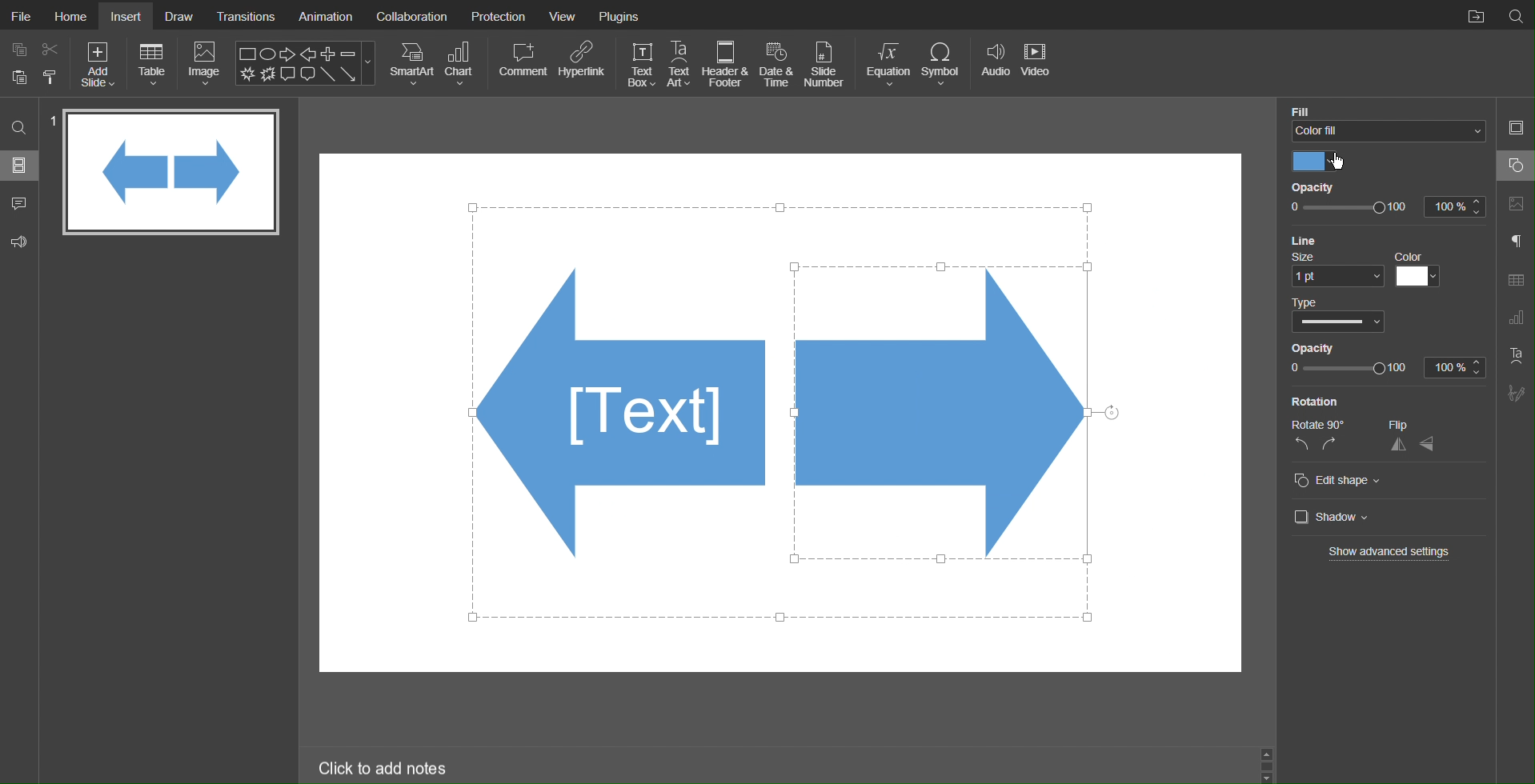  I want to click on Signature, so click(1515, 393).